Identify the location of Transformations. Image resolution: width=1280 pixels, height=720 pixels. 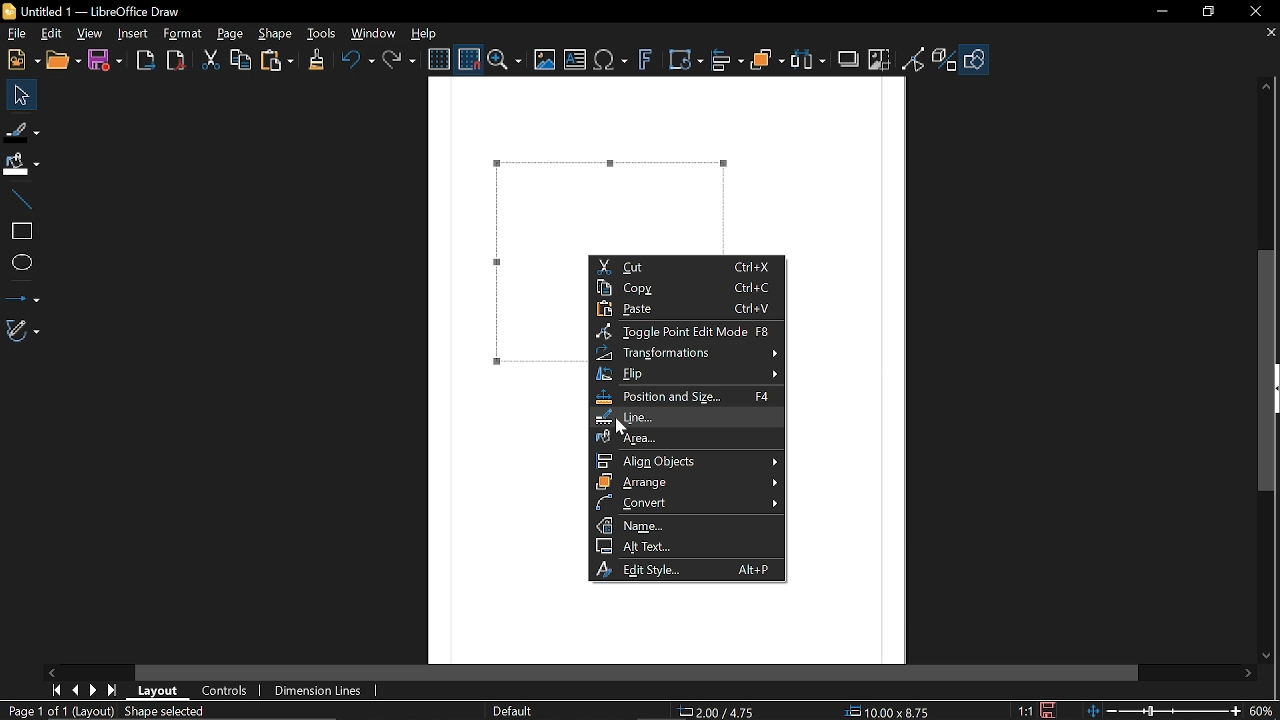
(687, 61).